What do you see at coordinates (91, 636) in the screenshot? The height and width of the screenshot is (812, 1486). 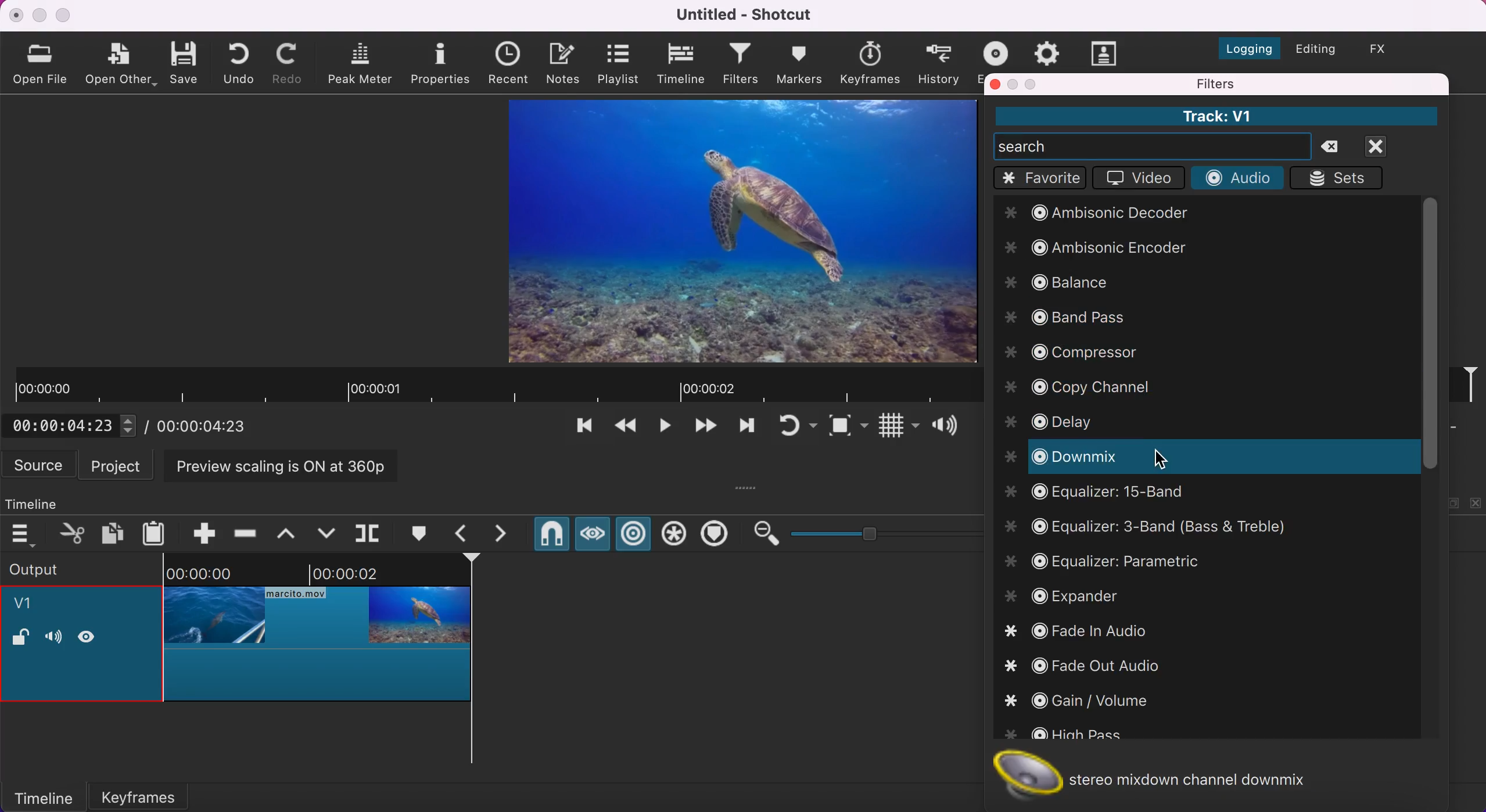 I see `hide` at bounding box center [91, 636].